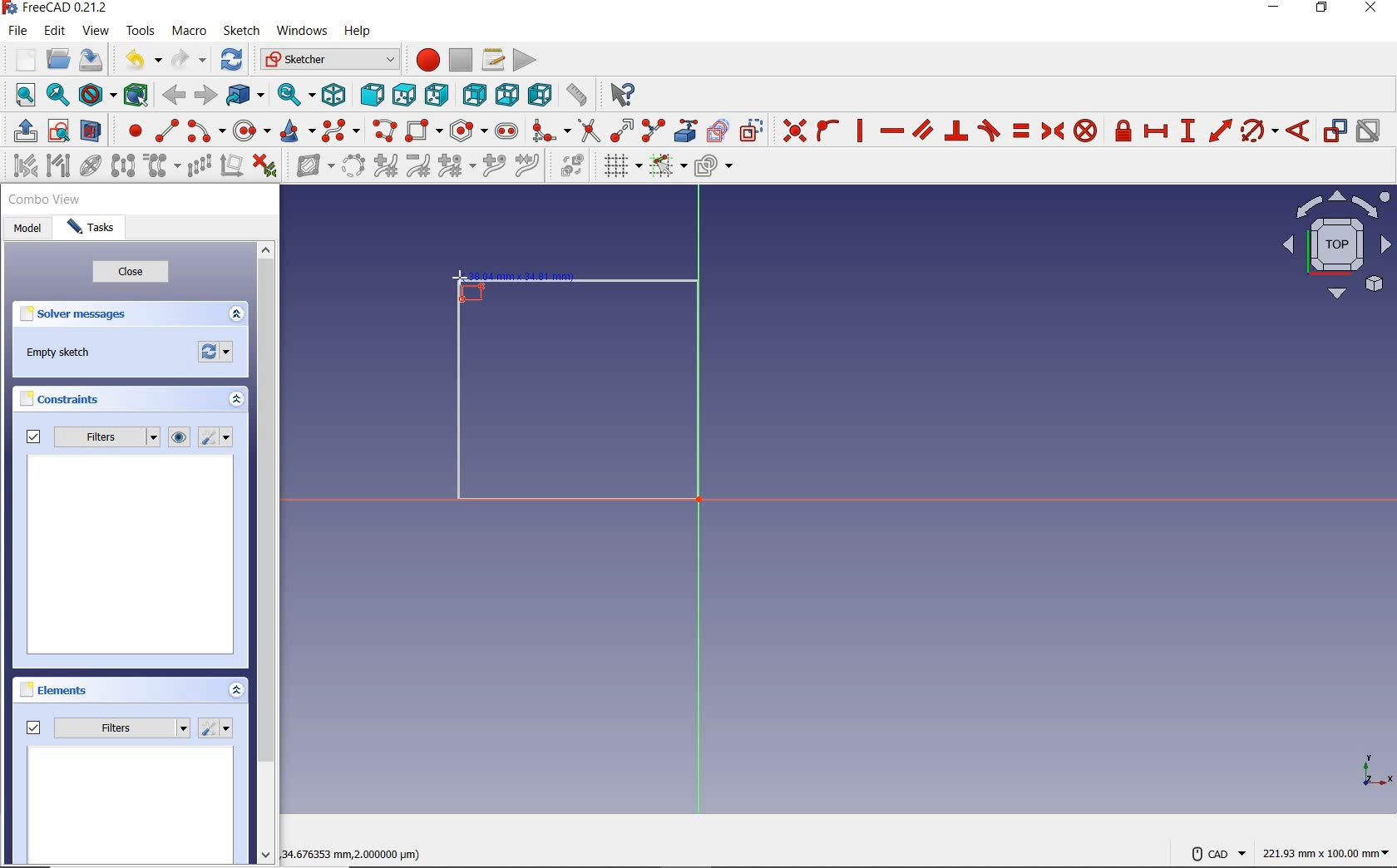 The width and height of the screenshot is (1397, 868). Describe the element at coordinates (231, 60) in the screenshot. I see `refresh` at that location.